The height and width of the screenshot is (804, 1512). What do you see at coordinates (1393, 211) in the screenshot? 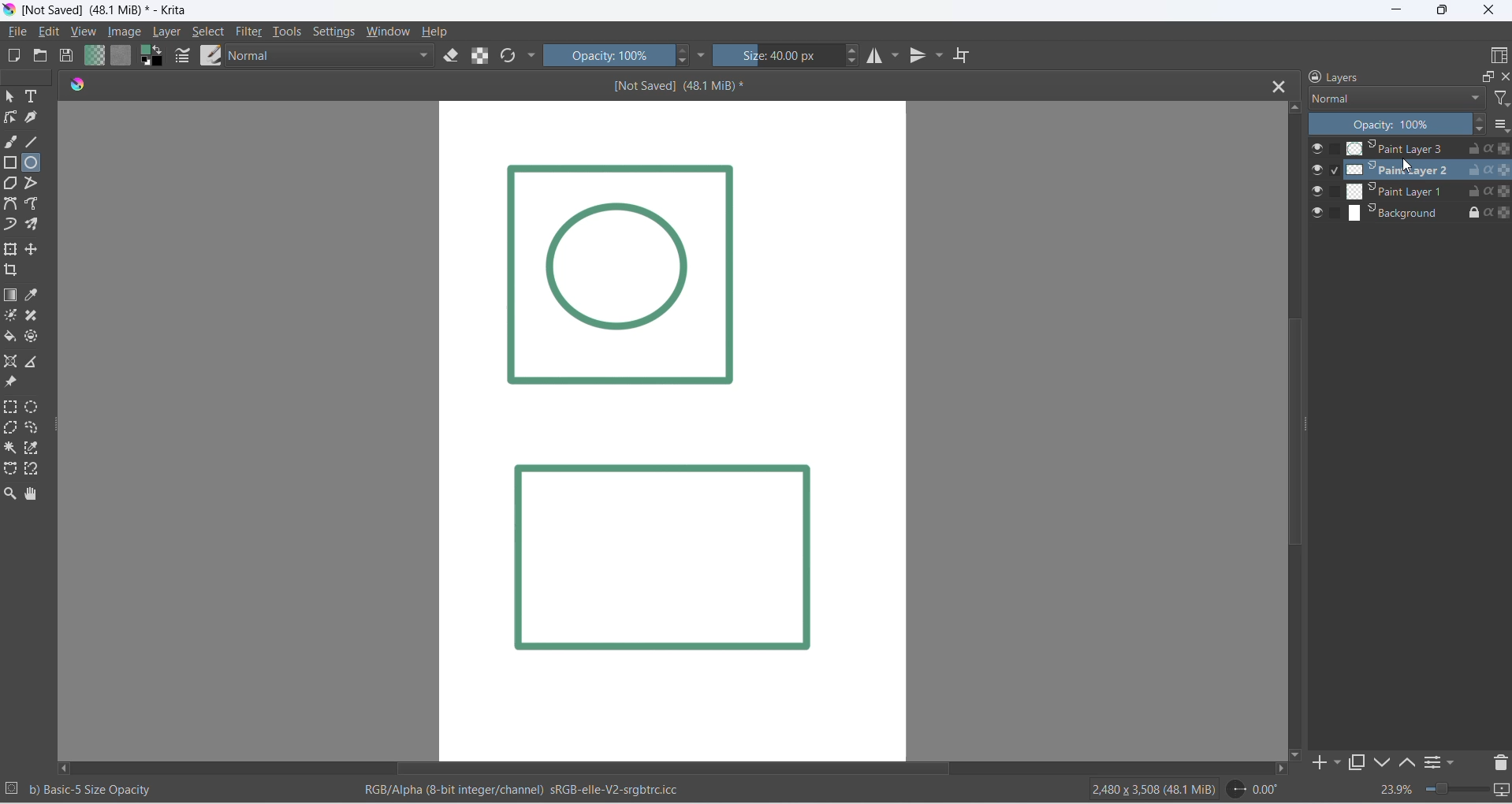
I see `background` at bounding box center [1393, 211].